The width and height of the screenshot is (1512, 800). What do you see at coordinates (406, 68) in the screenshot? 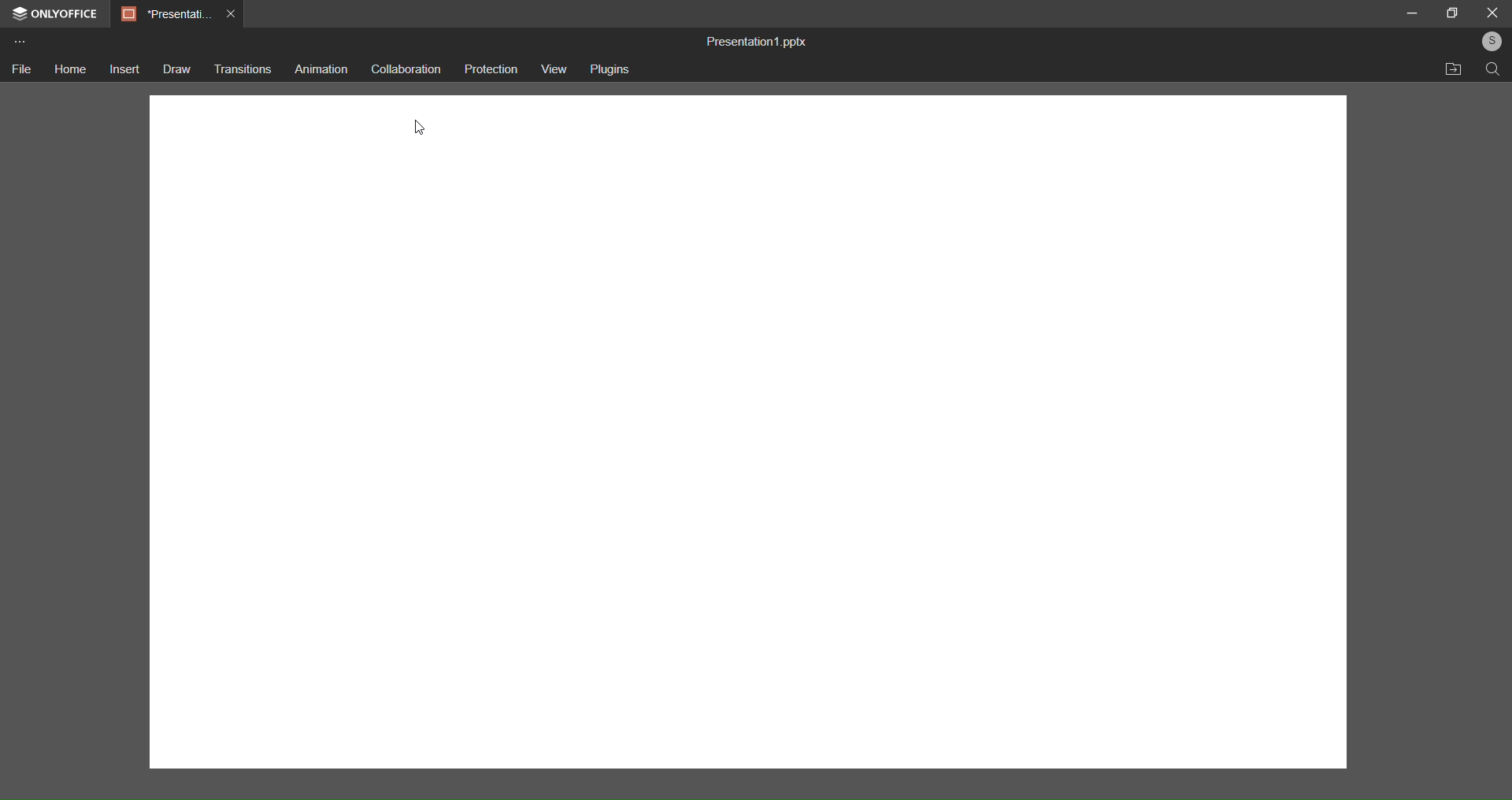
I see `collaboration` at bounding box center [406, 68].